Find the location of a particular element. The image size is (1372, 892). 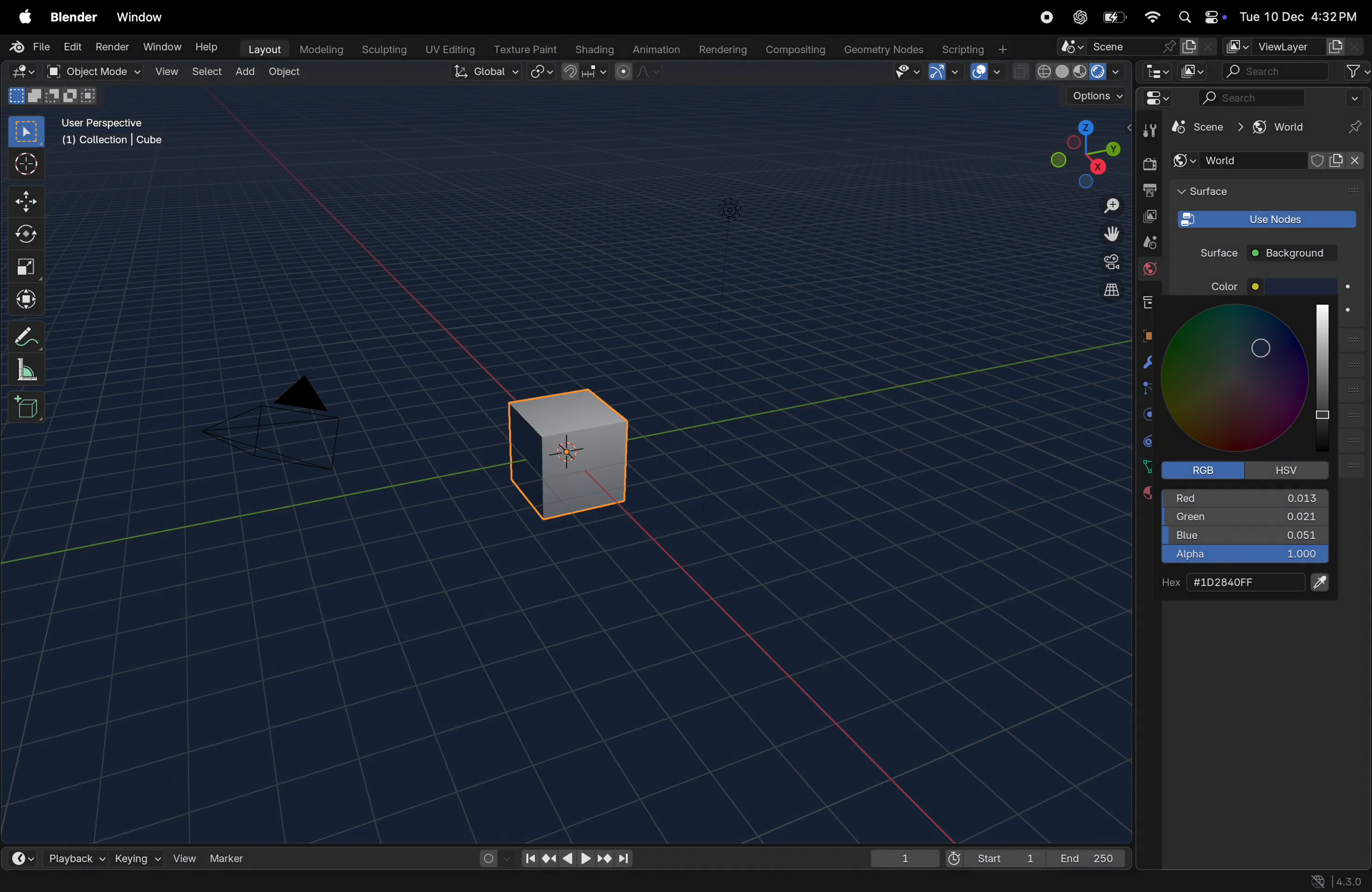

End 250 is located at coordinates (1088, 857).